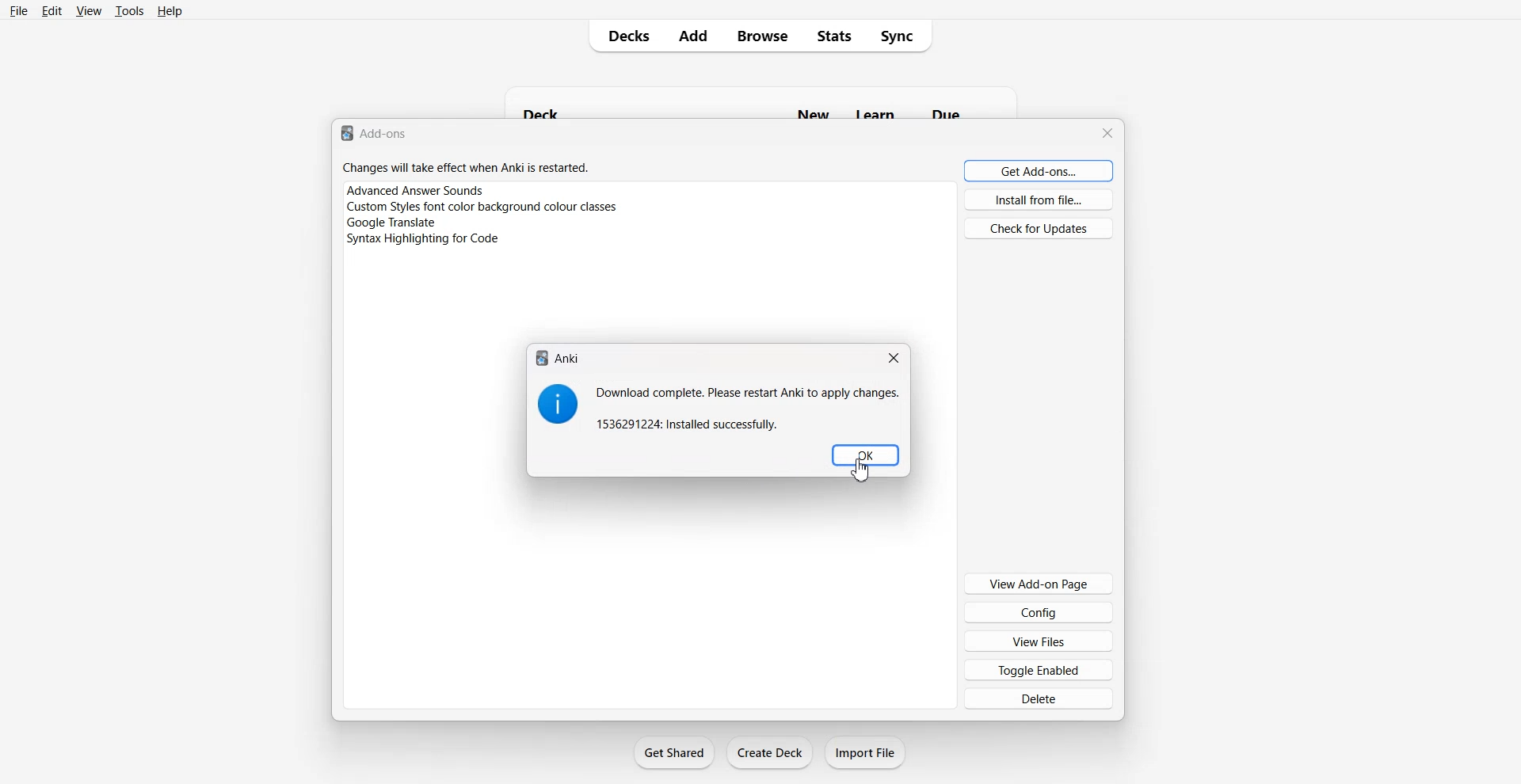  I want to click on due, so click(948, 112).